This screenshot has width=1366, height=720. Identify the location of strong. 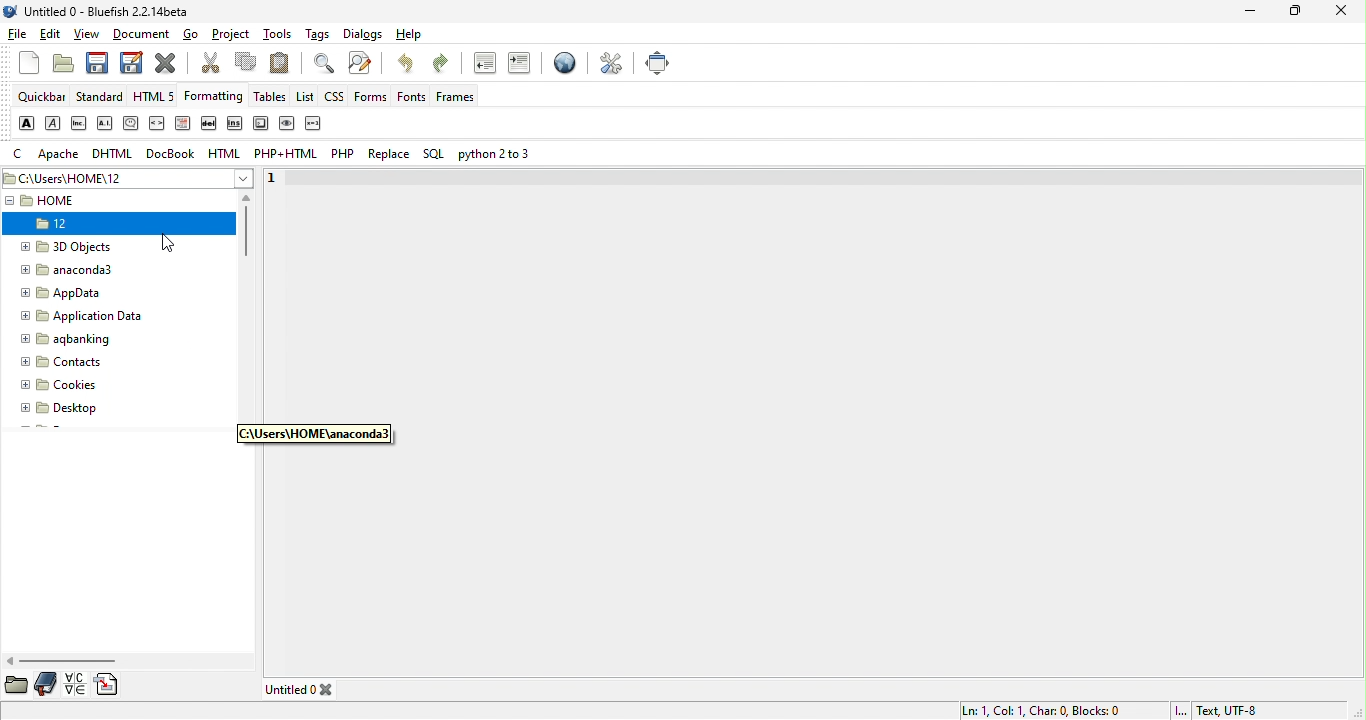
(25, 123).